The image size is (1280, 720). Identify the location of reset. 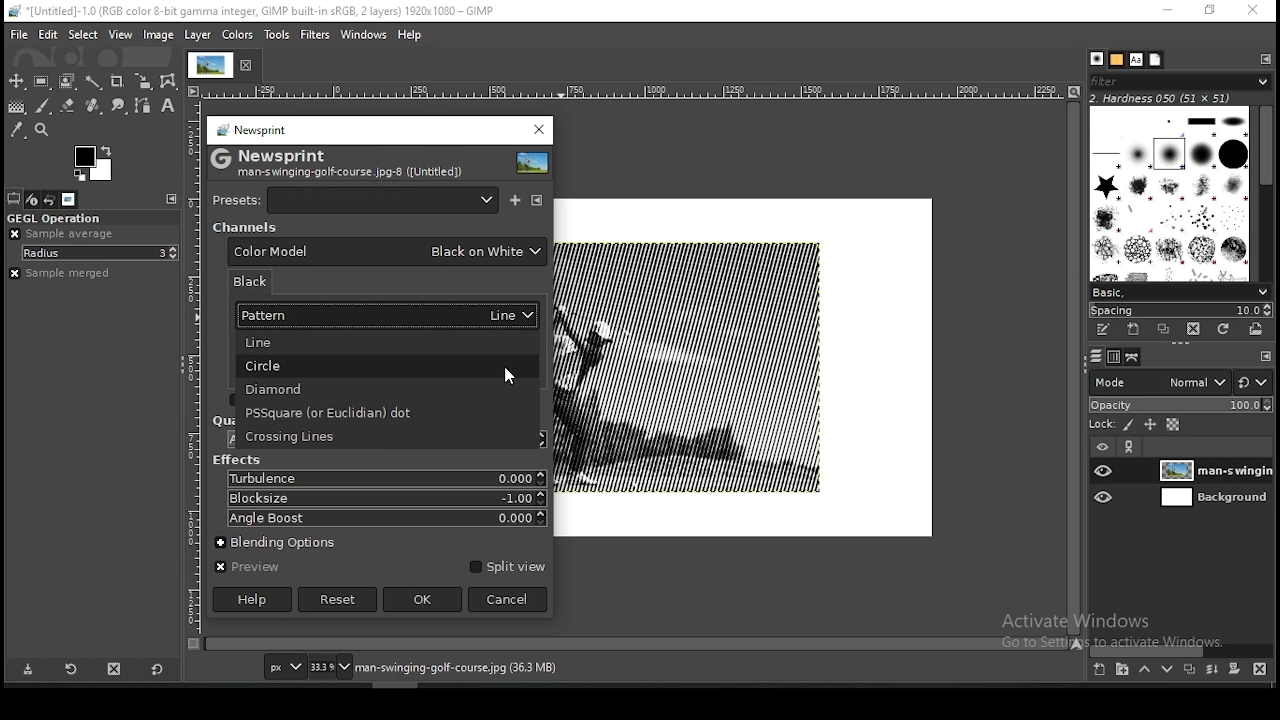
(1255, 378).